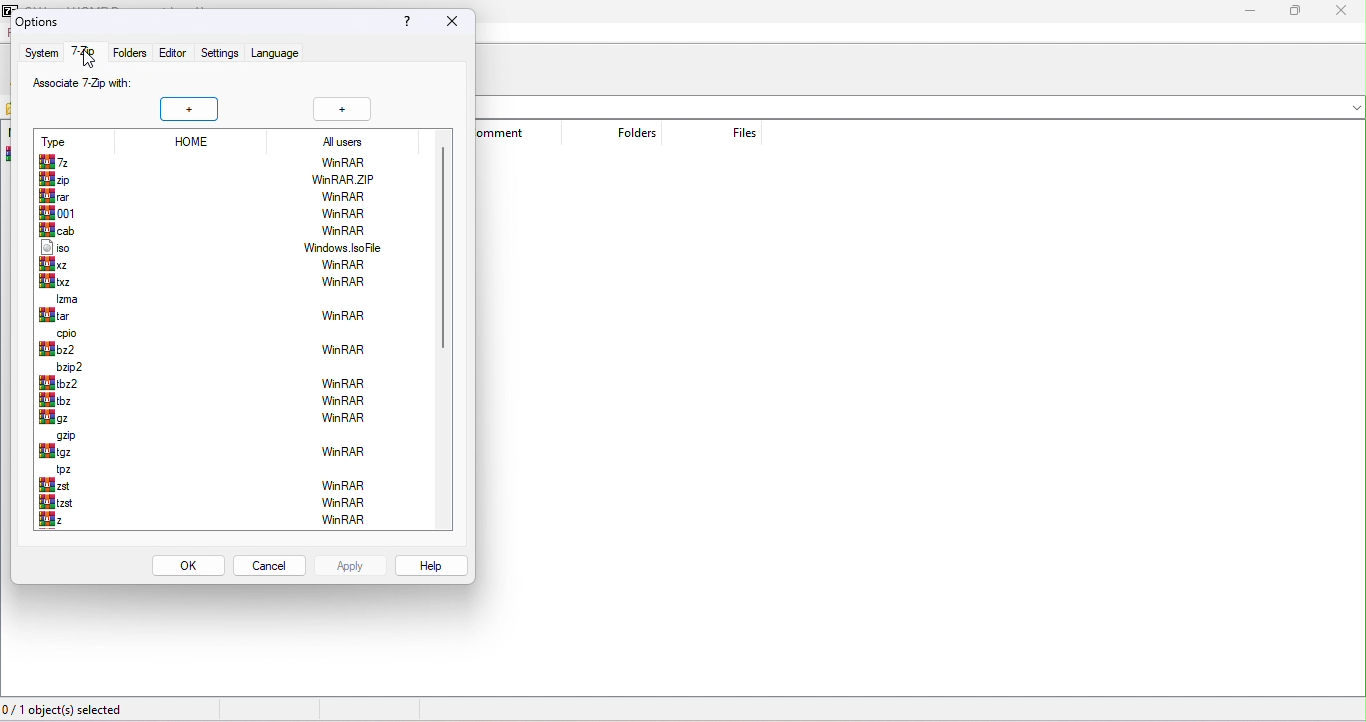  Describe the element at coordinates (129, 53) in the screenshot. I see `folders` at that location.